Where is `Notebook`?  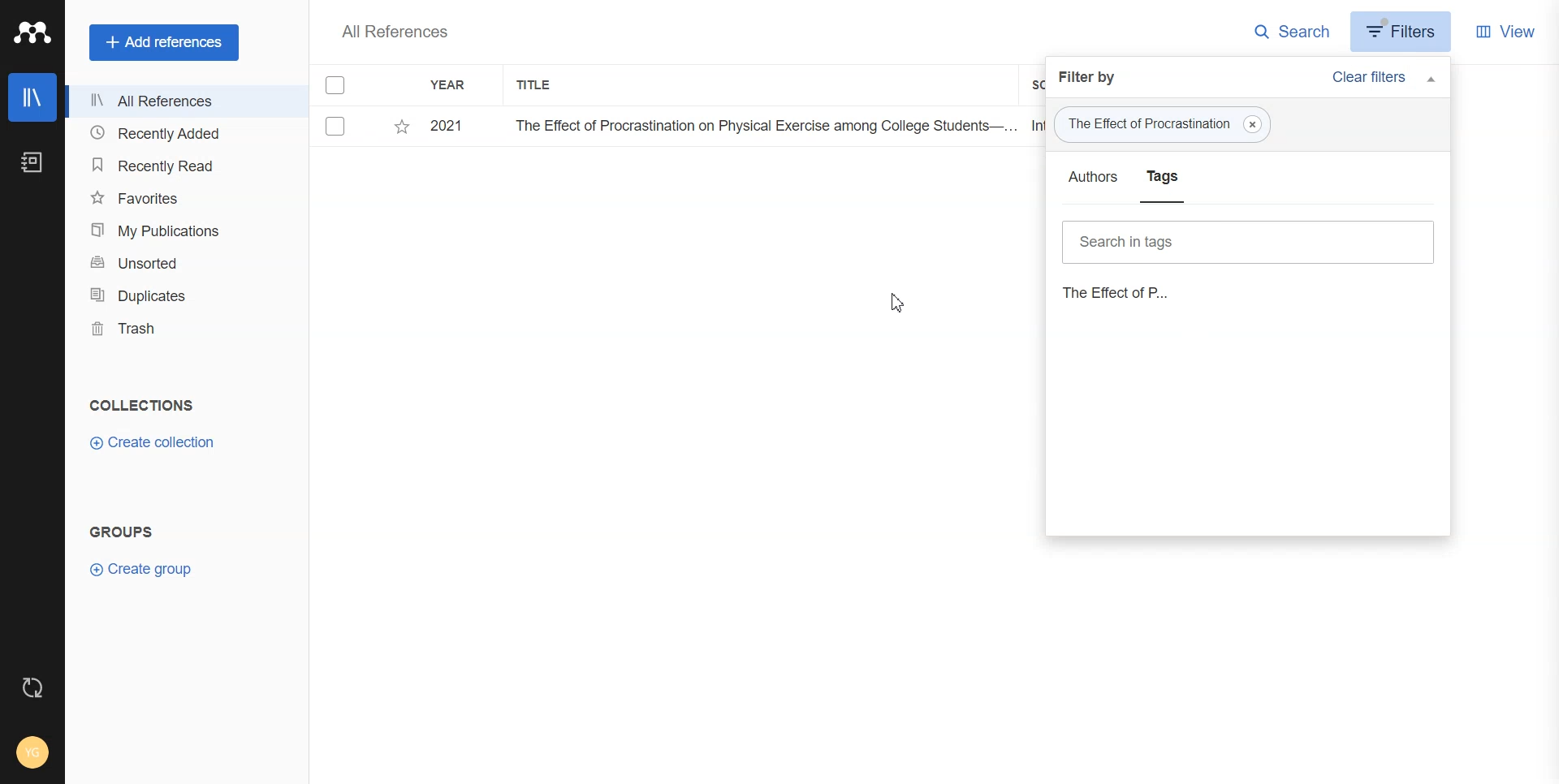 Notebook is located at coordinates (32, 162).